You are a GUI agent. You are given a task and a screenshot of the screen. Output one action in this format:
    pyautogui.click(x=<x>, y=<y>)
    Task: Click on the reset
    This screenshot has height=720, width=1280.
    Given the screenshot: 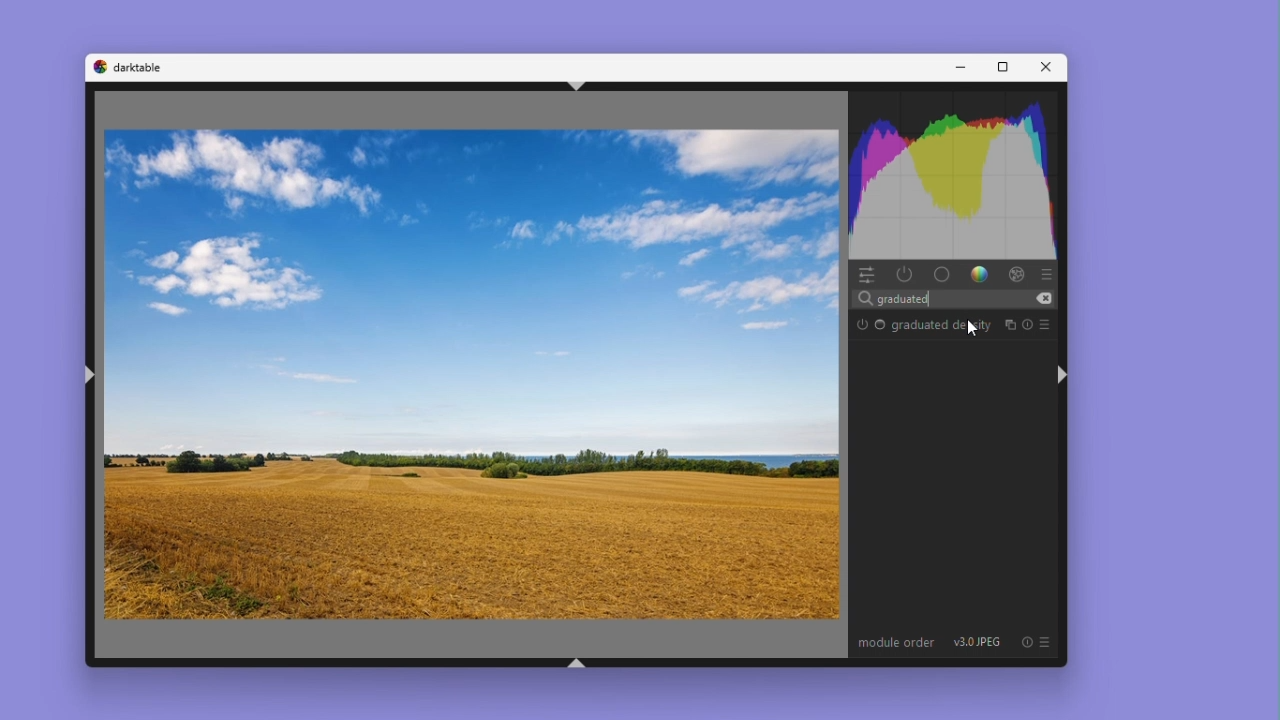 What is the action you would take?
    pyautogui.click(x=1029, y=324)
    